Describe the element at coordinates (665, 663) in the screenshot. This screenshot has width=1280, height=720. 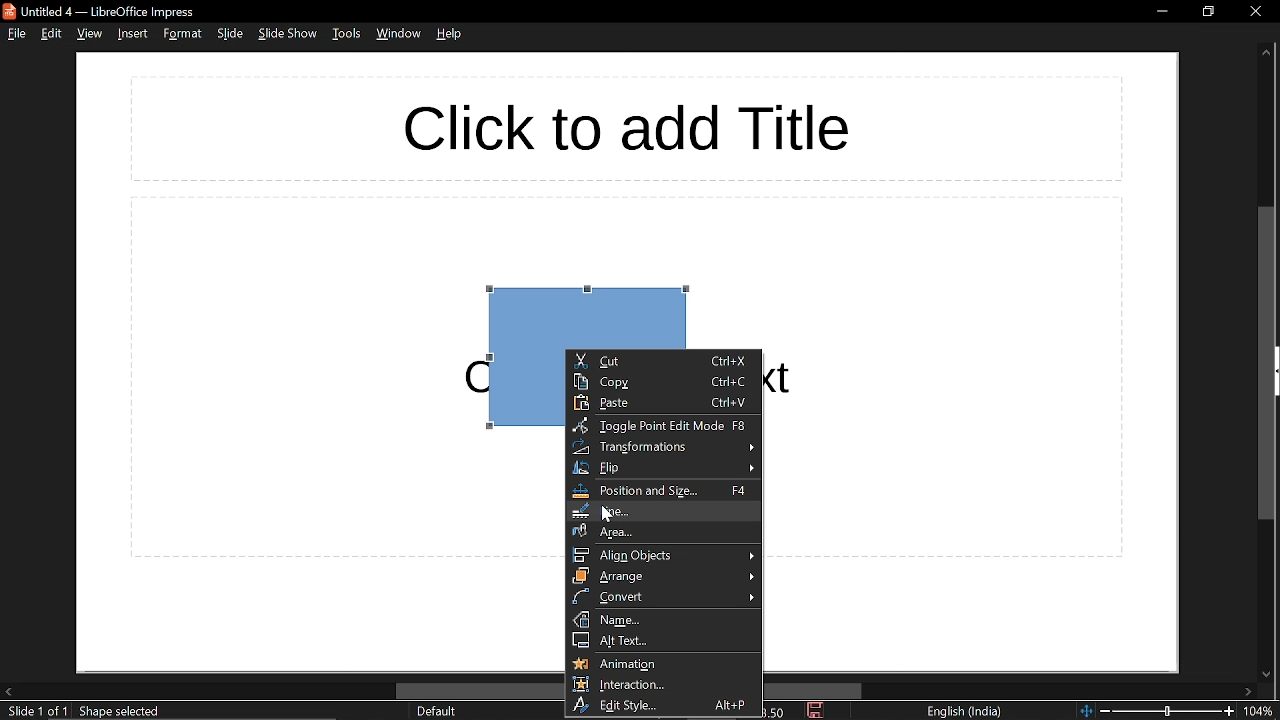
I see `animation` at that location.